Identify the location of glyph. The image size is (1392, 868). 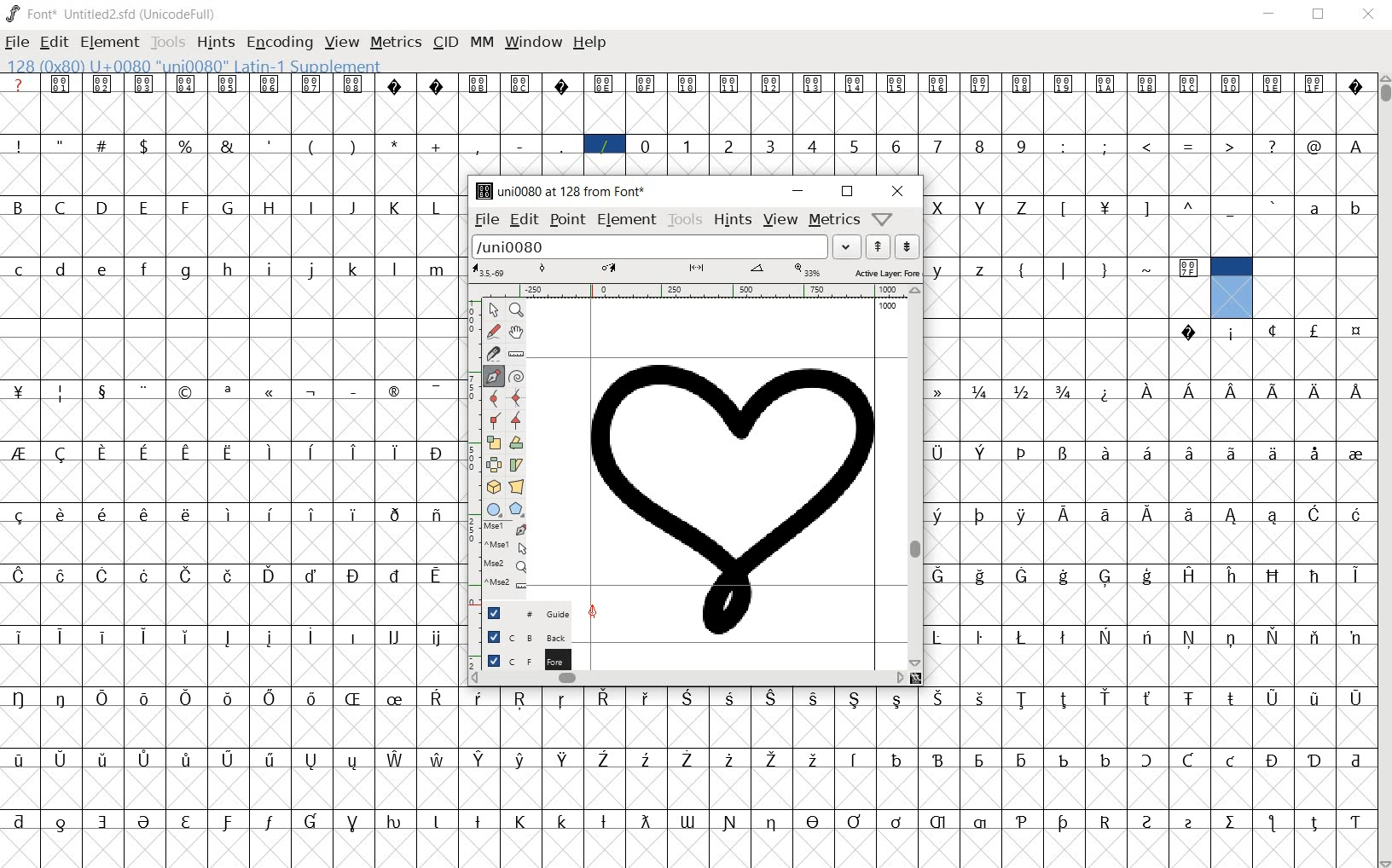
(143, 454).